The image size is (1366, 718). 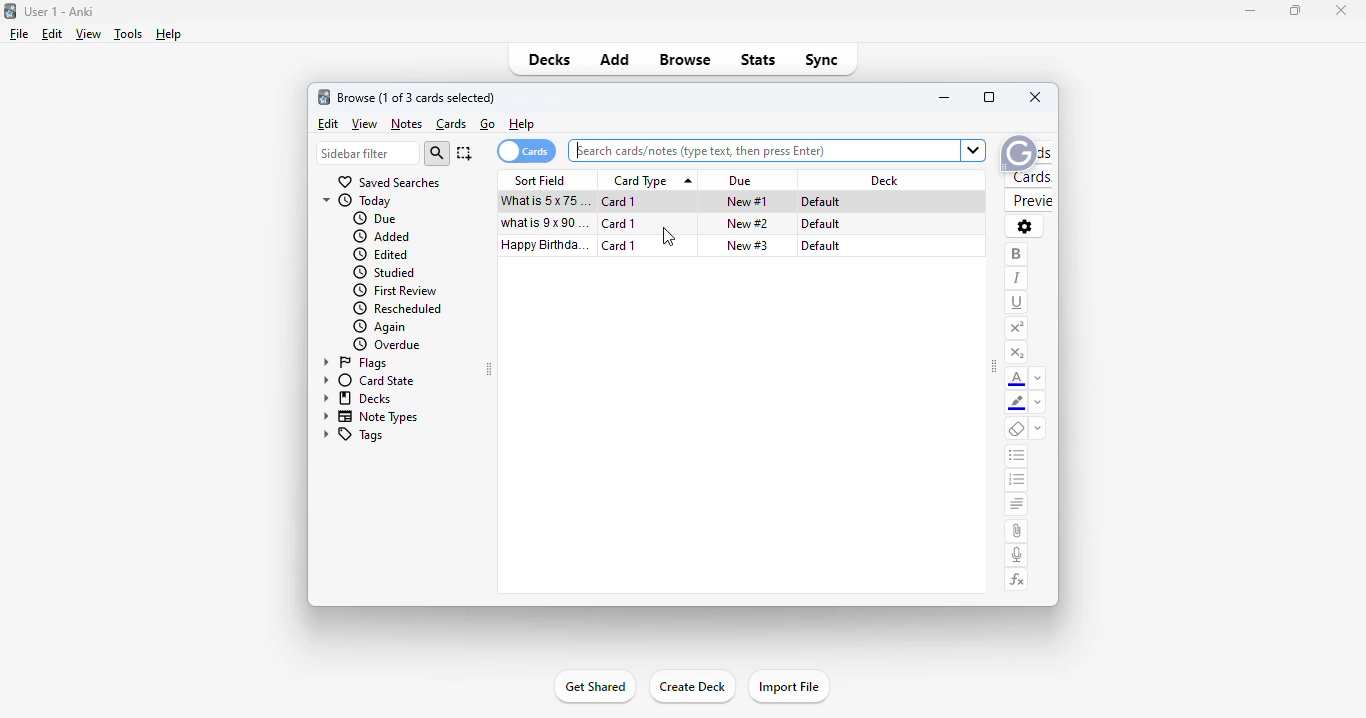 I want to click on attach pictures/audio/video, so click(x=1017, y=531).